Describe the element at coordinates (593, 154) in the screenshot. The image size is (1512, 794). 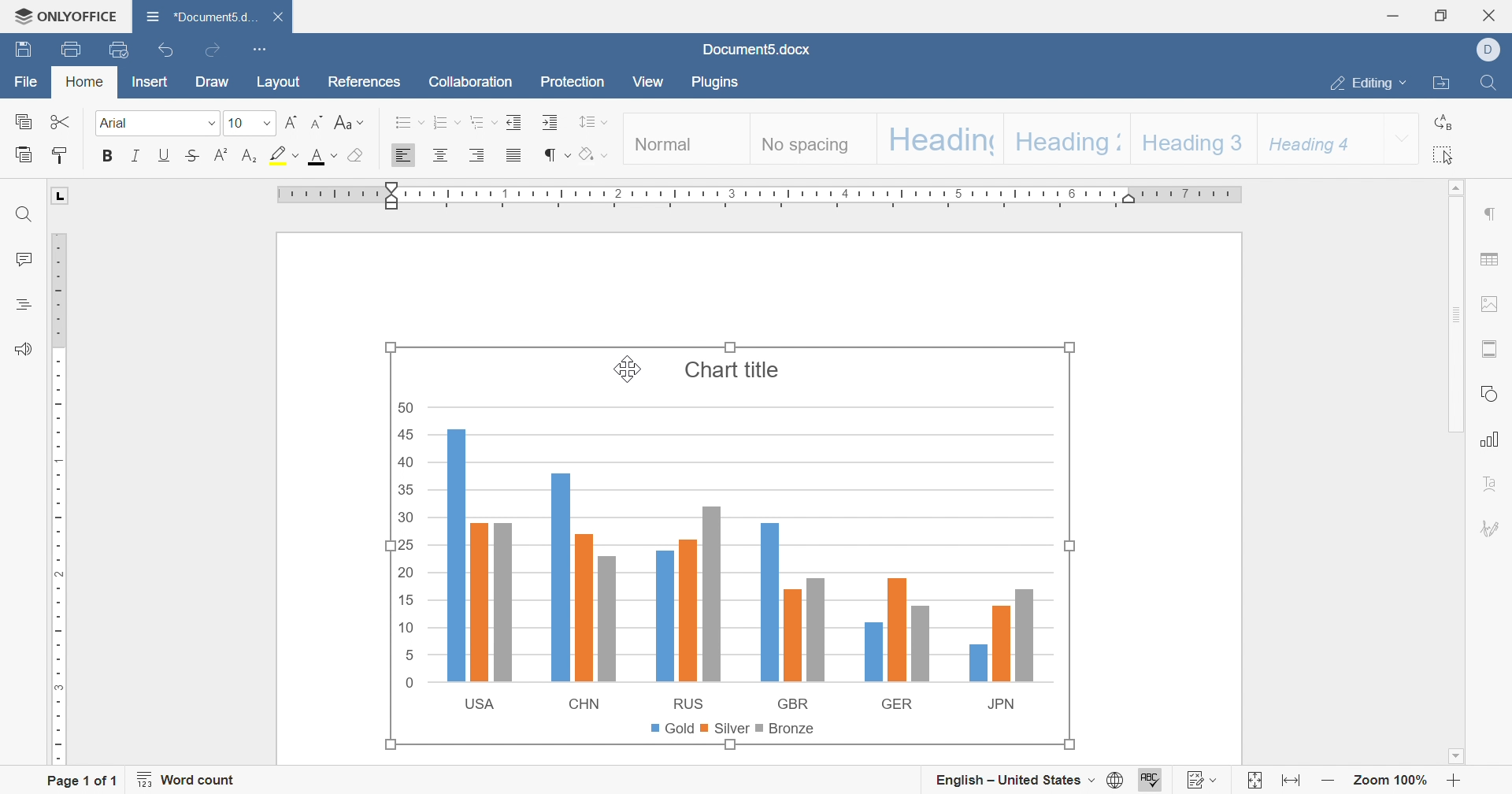
I see `shading` at that location.